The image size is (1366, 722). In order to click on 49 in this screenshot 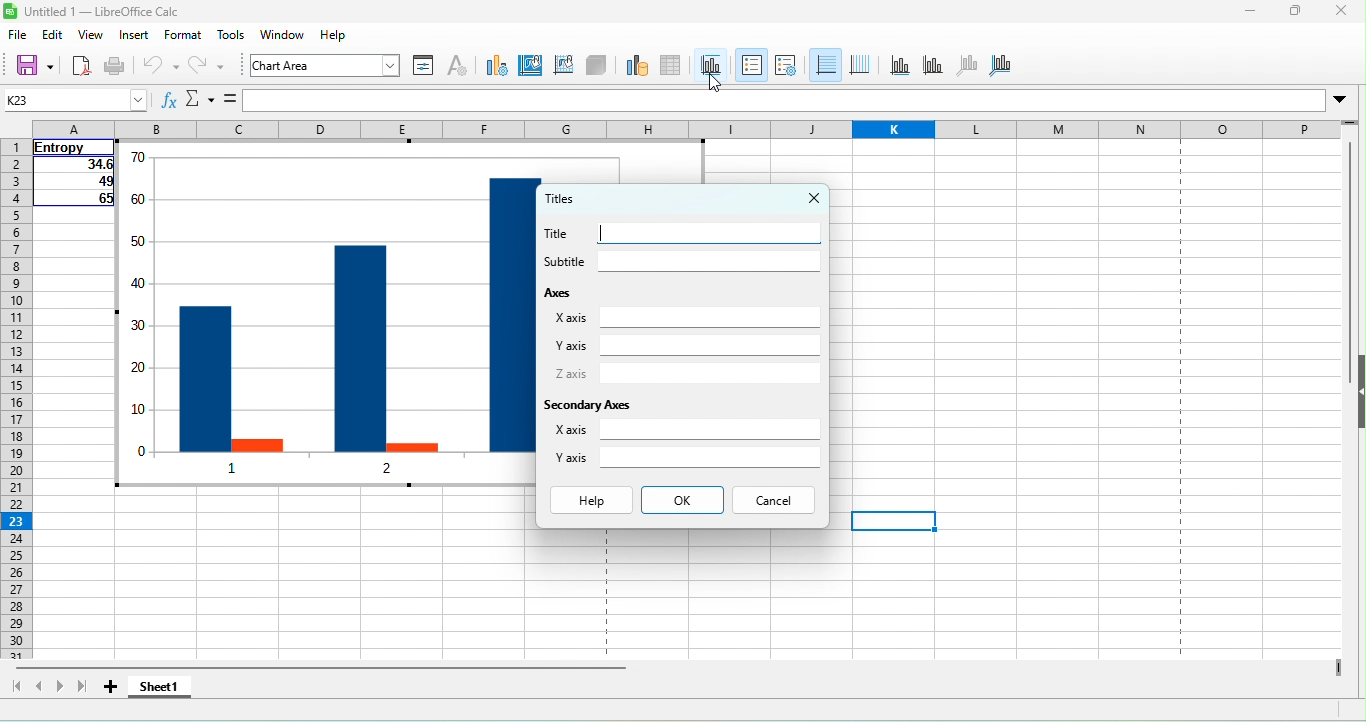, I will do `click(76, 183)`.